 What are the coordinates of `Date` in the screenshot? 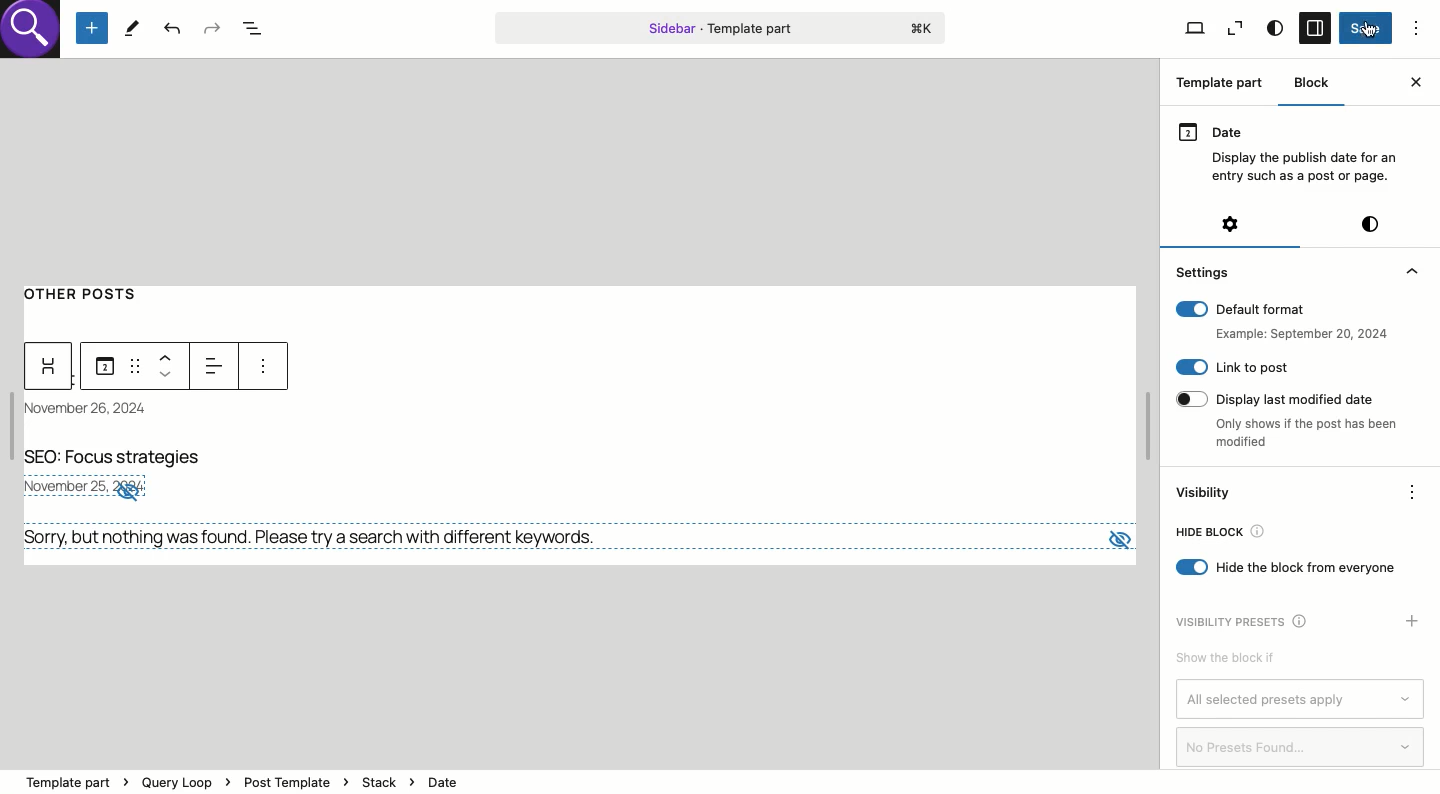 It's located at (98, 410).